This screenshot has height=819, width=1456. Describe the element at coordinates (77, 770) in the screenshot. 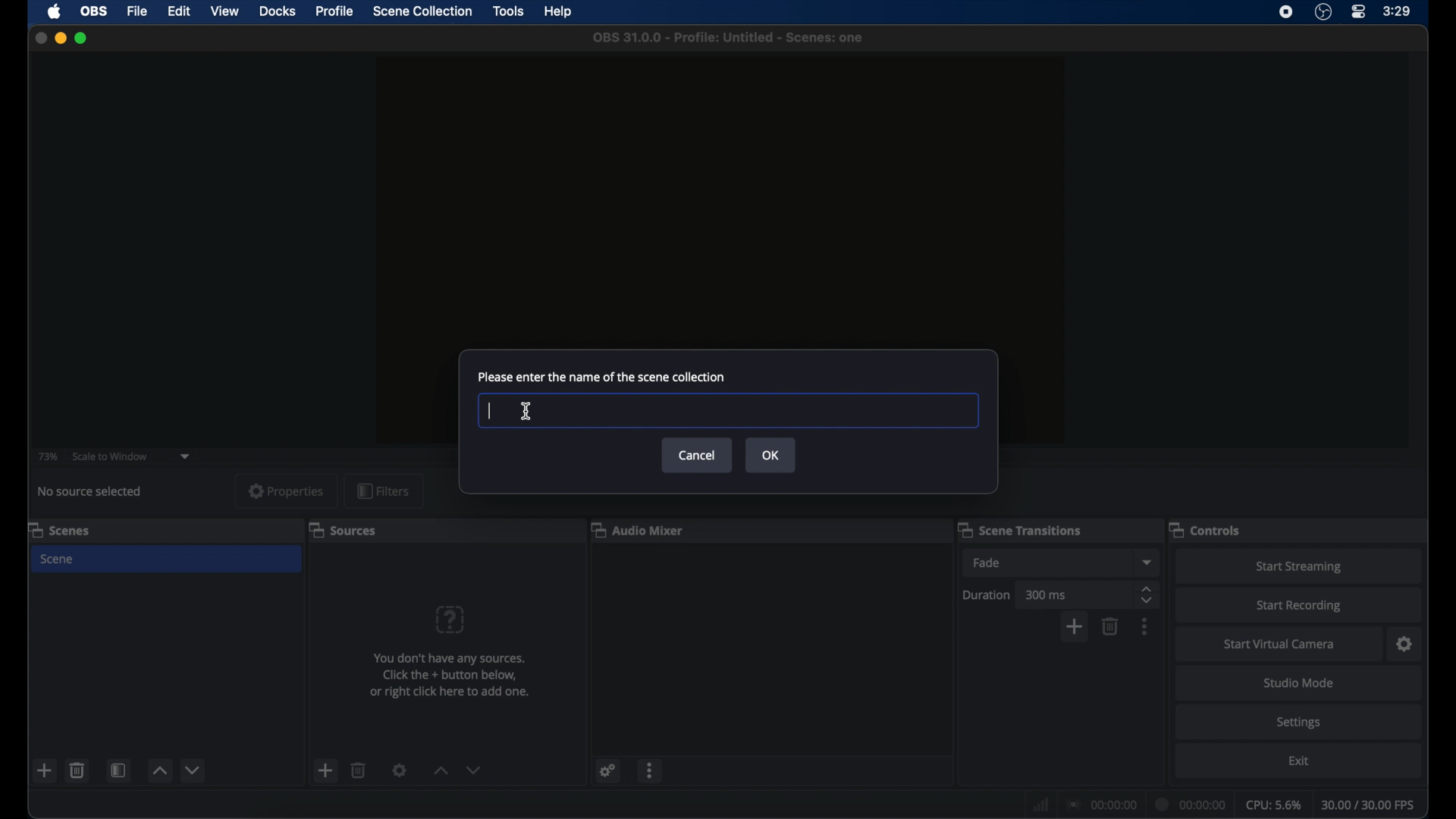

I see `delete` at that location.